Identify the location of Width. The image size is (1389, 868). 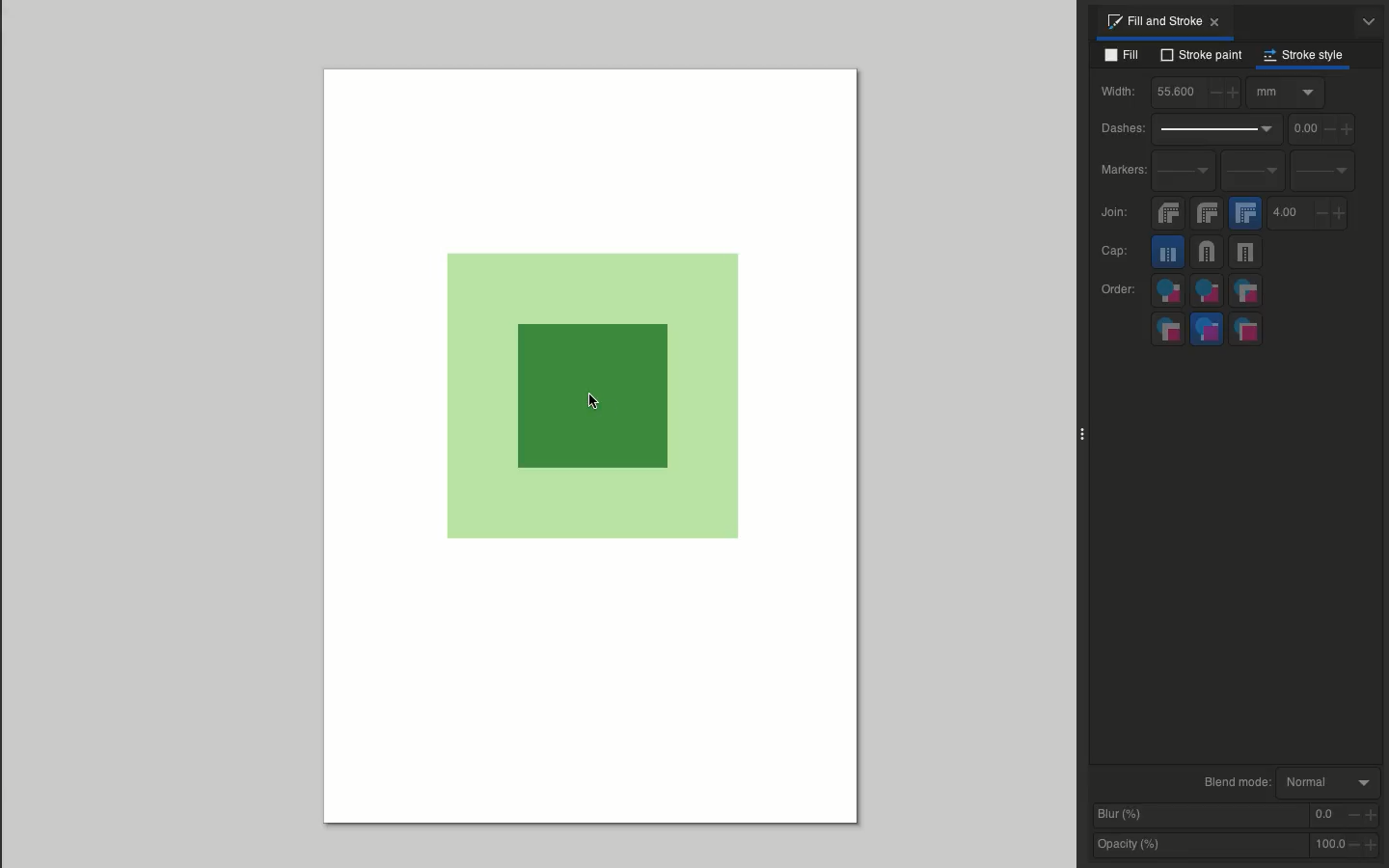
(1117, 92).